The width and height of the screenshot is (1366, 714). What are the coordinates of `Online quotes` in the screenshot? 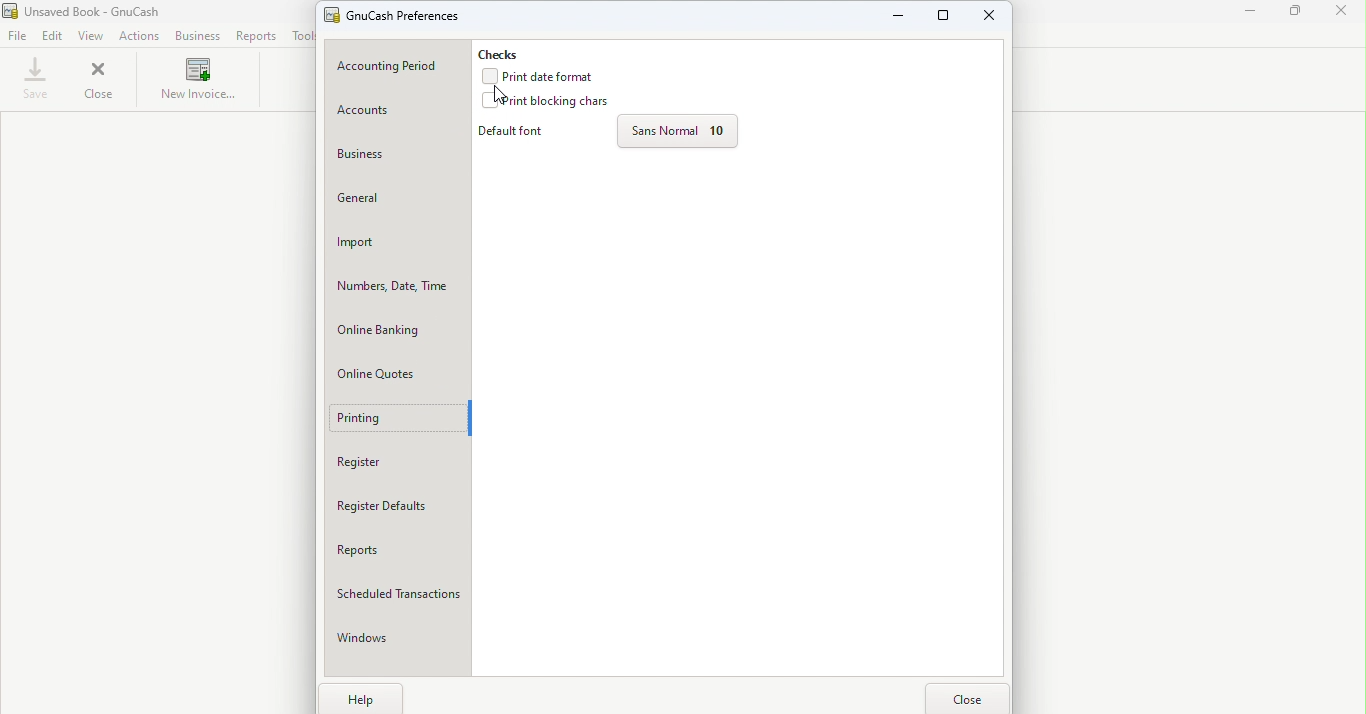 It's located at (400, 375).